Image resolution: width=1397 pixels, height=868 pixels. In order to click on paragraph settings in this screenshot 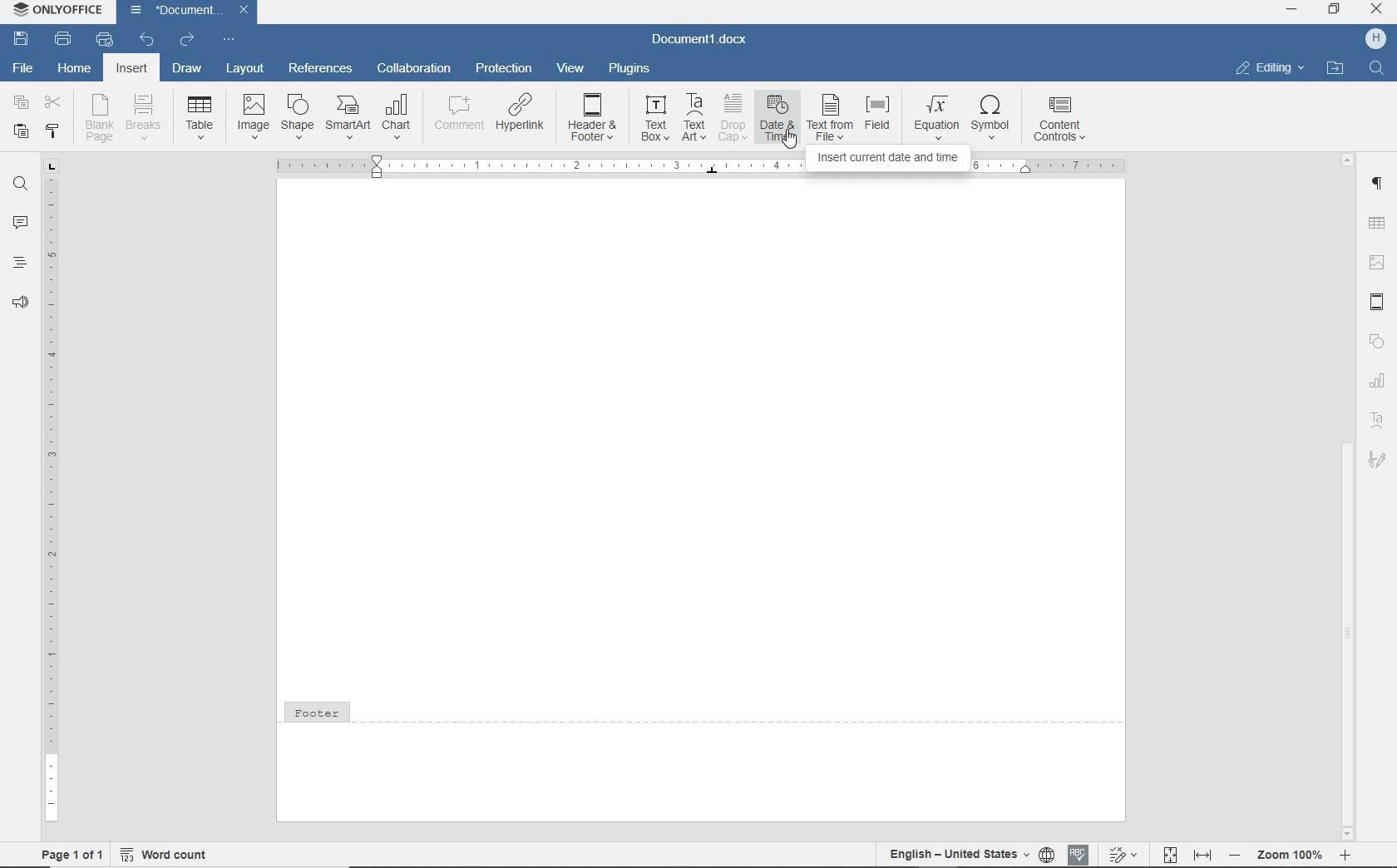, I will do `click(1380, 185)`.